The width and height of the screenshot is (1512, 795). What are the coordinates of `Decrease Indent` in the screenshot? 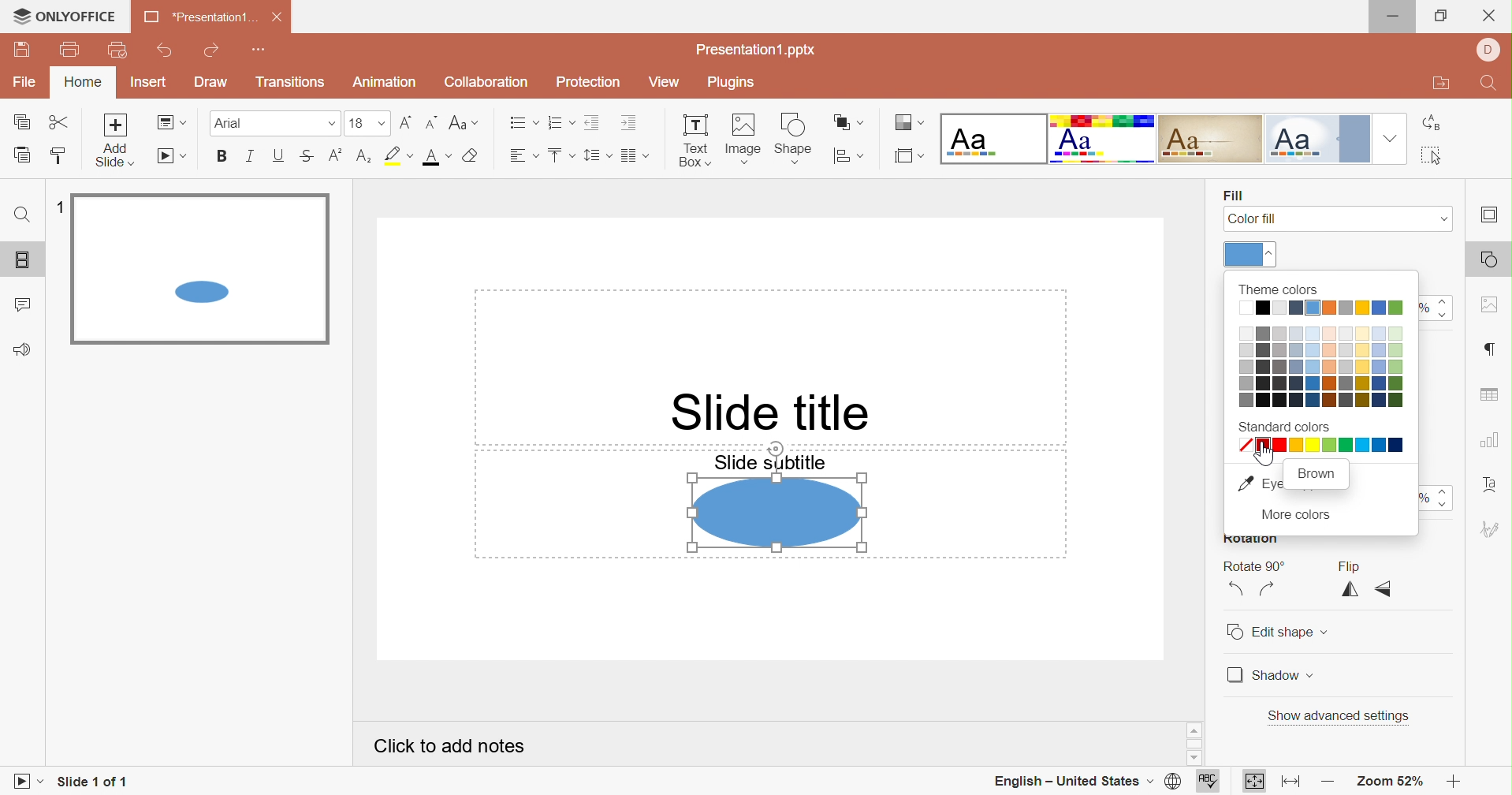 It's located at (592, 125).